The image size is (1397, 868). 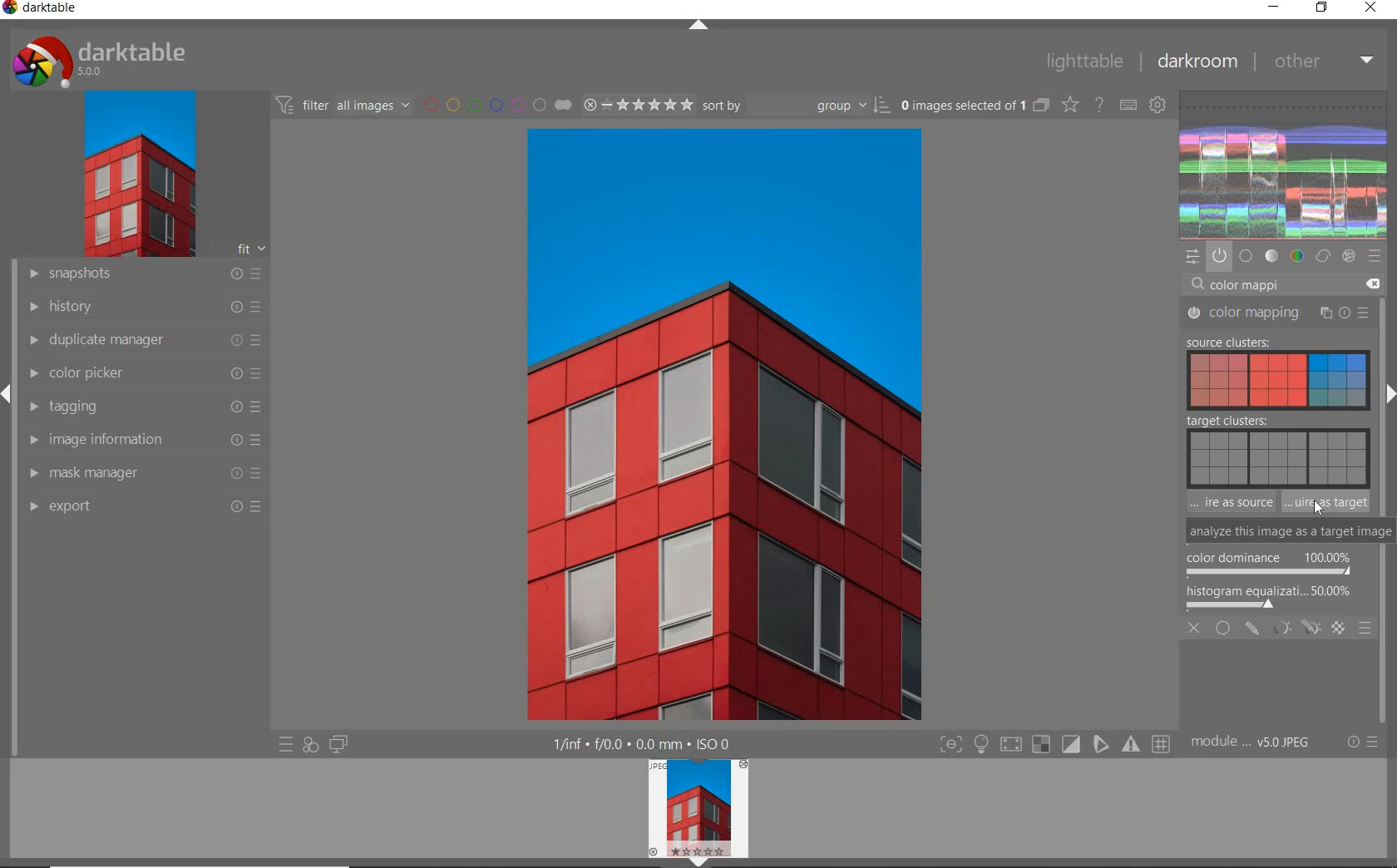 I want to click on UNIFORMLY, so click(x=1223, y=629).